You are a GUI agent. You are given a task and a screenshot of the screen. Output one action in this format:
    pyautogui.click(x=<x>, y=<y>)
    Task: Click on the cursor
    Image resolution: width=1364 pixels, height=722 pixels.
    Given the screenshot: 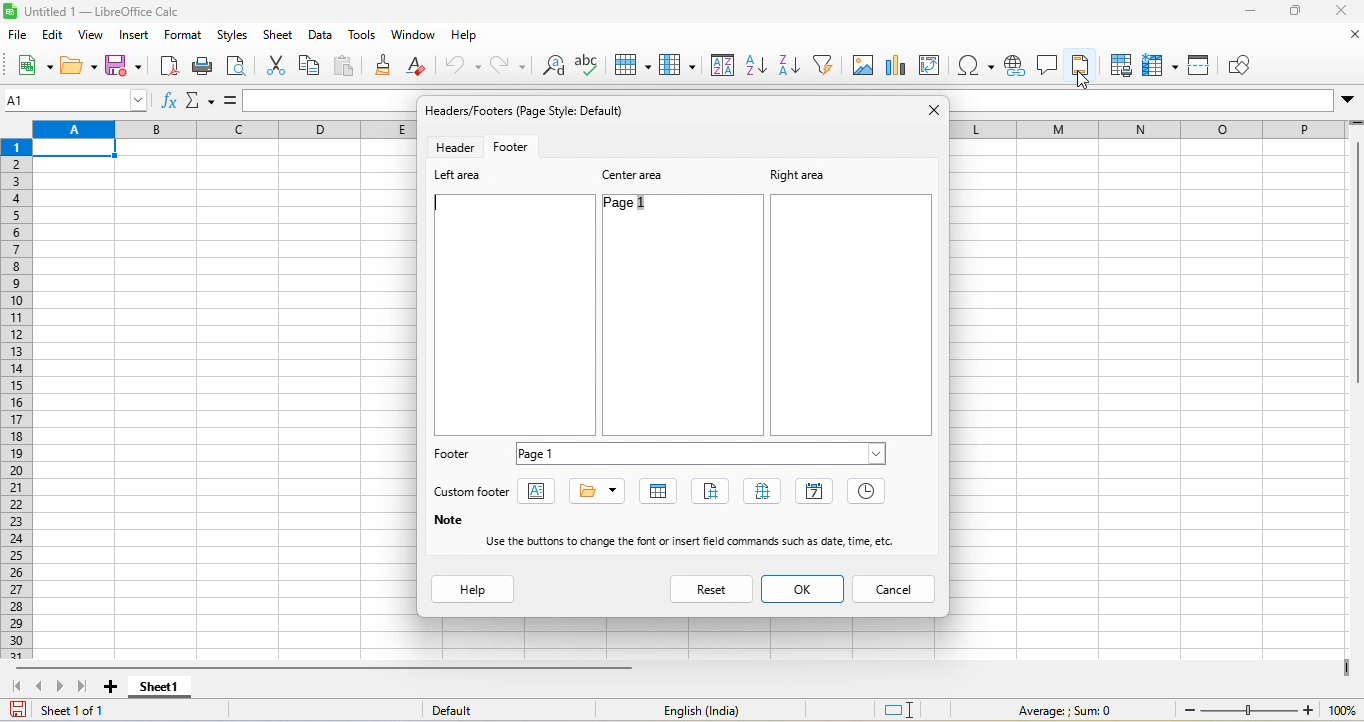 What is the action you would take?
    pyautogui.click(x=1085, y=79)
    